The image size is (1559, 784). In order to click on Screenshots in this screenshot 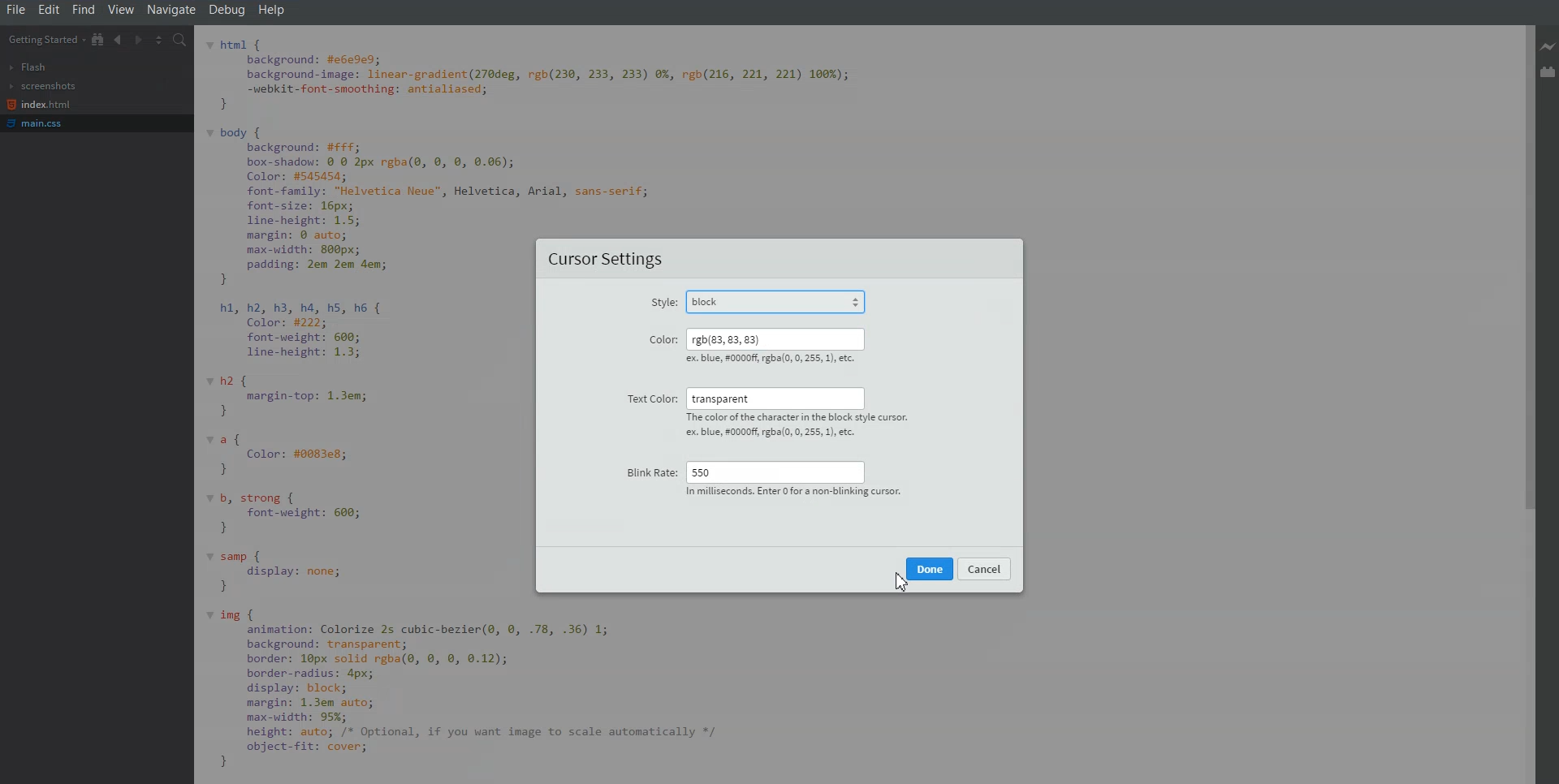, I will do `click(42, 86)`.